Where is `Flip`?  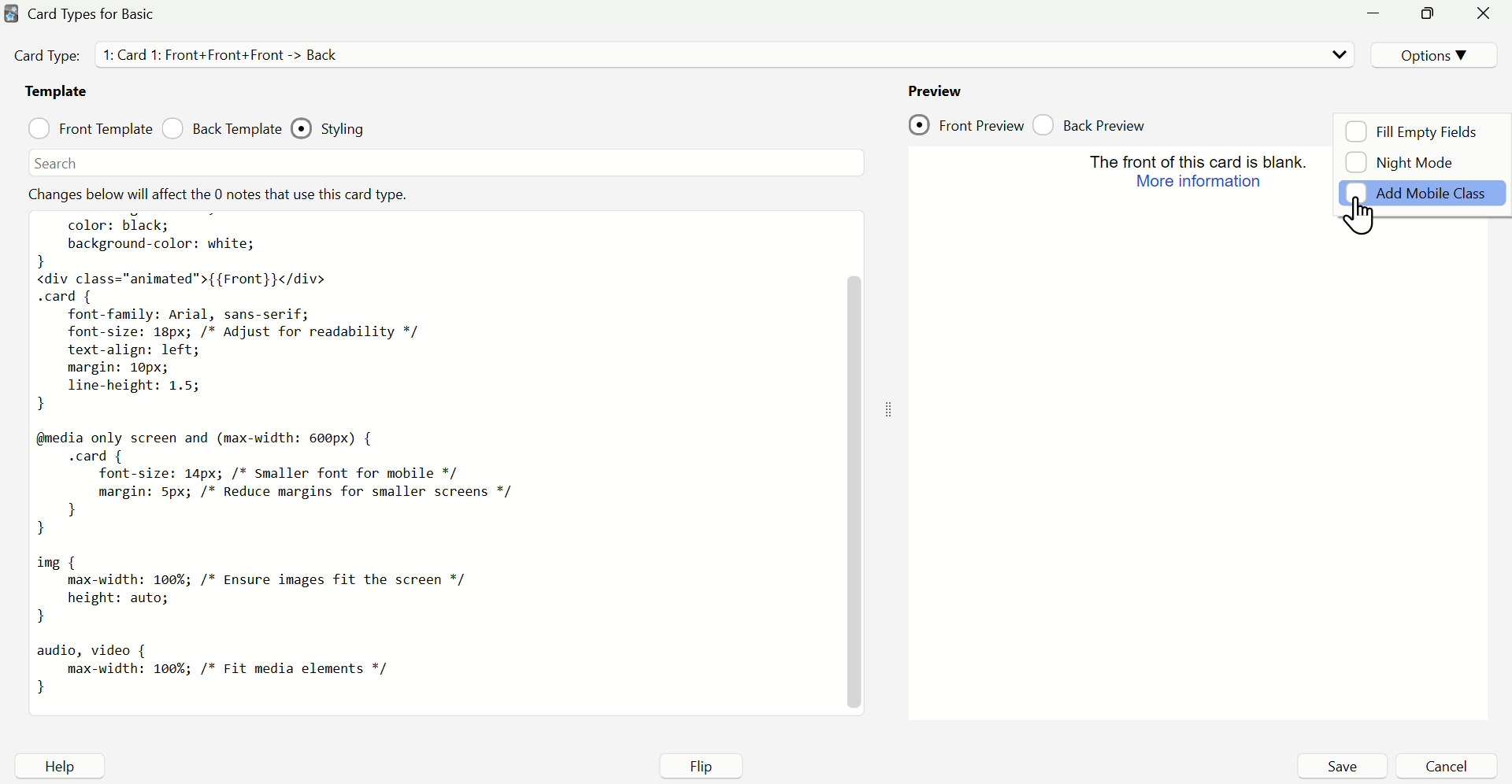
Flip is located at coordinates (705, 764).